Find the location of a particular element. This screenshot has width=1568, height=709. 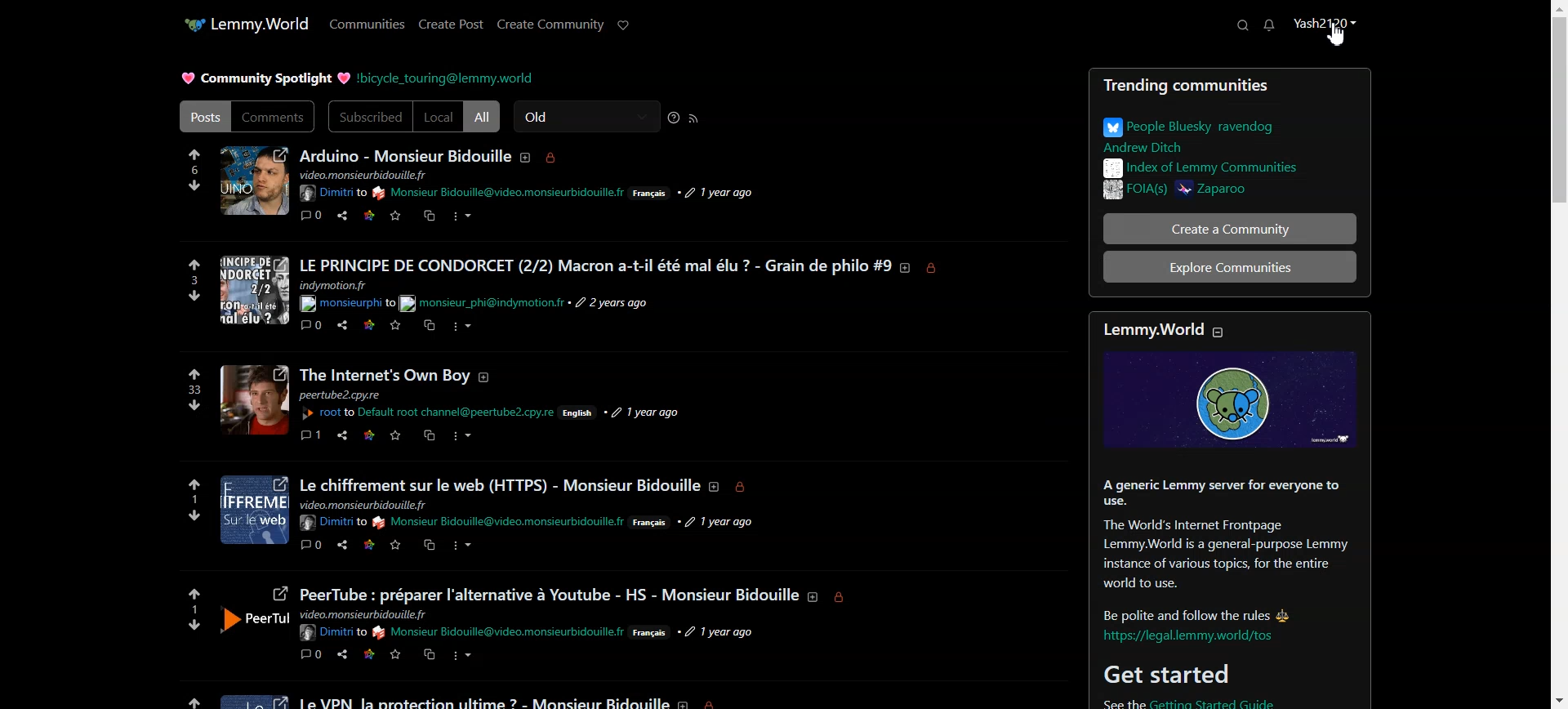

text is located at coordinates (483, 699).